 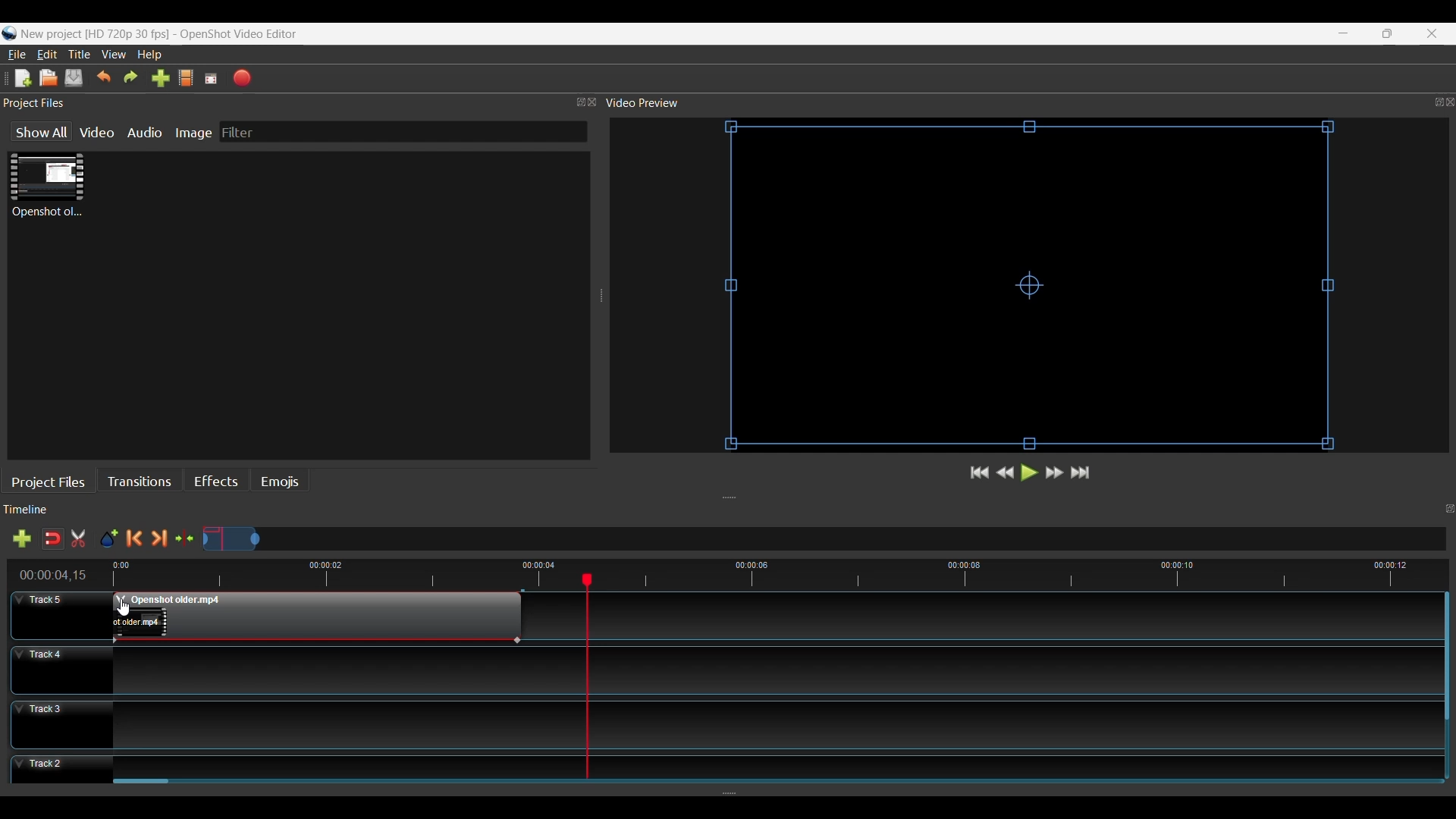 What do you see at coordinates (770, 724) in the screenshot?
I see `Track Panel` at bounding box center [770, 724].